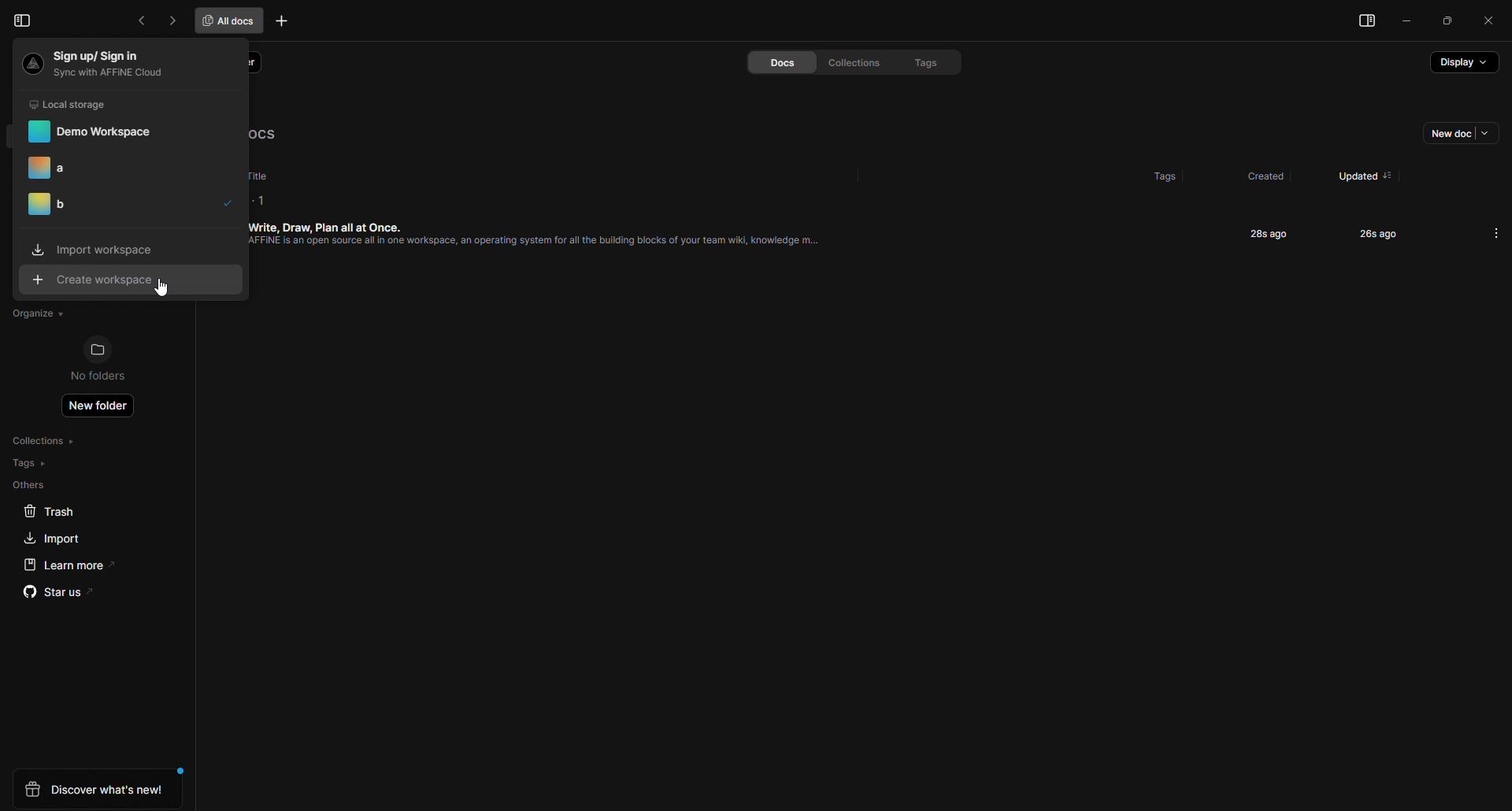  I want to click on docs, so click(768, 63).